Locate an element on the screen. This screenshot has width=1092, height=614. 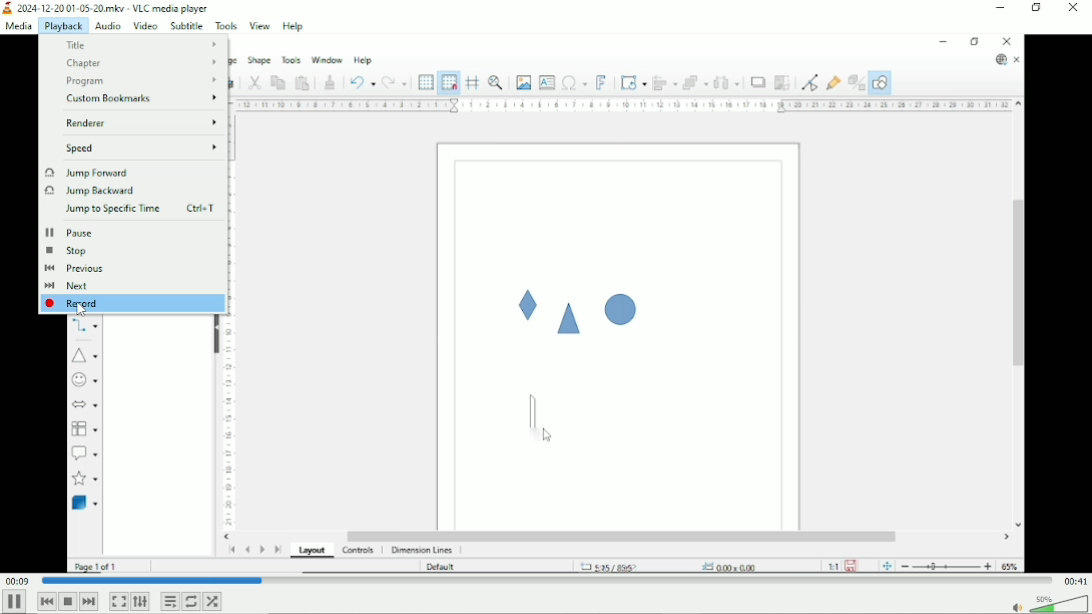
Pause is located at coordinates (14, 602).